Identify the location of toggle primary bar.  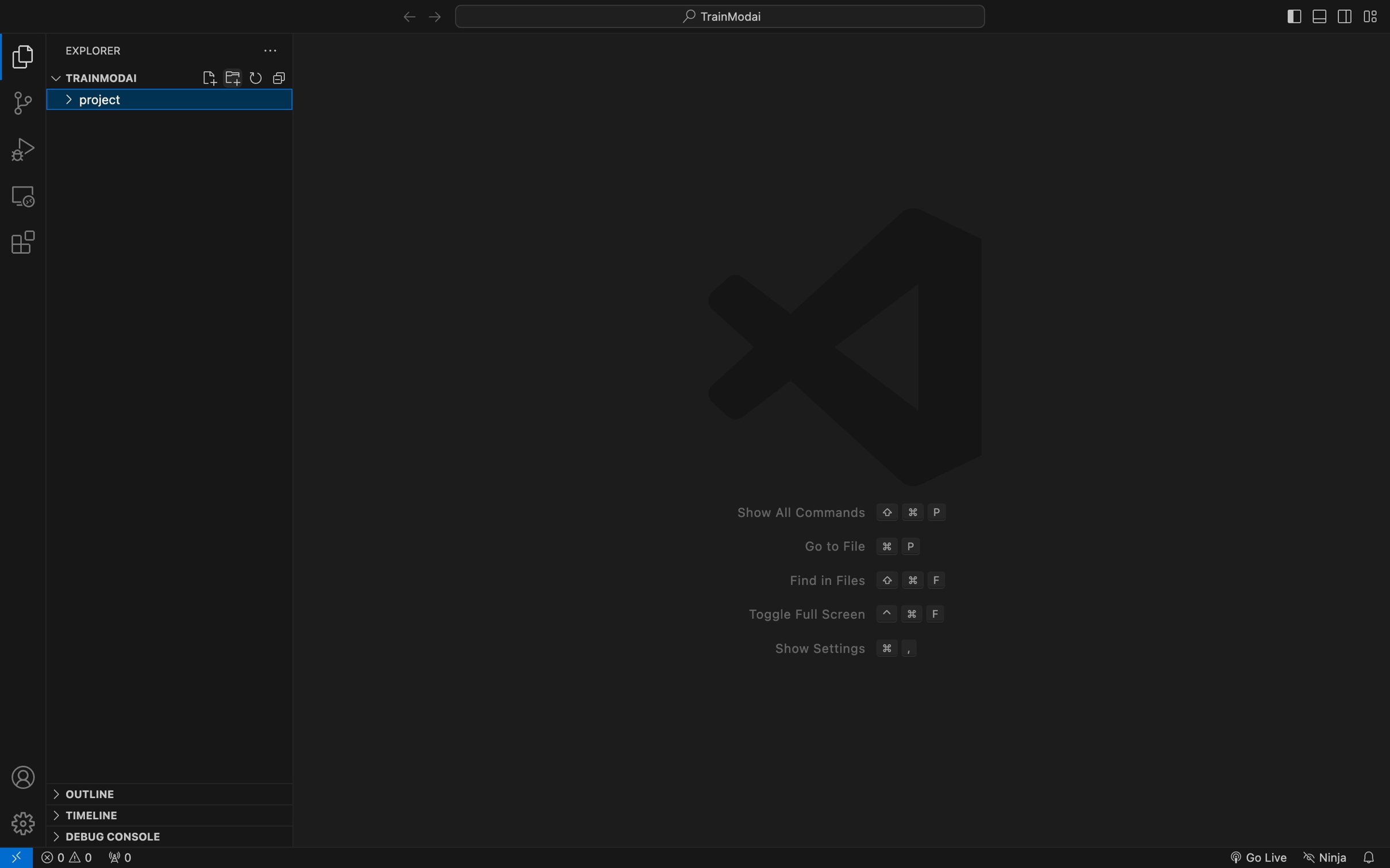
(1318, 17).